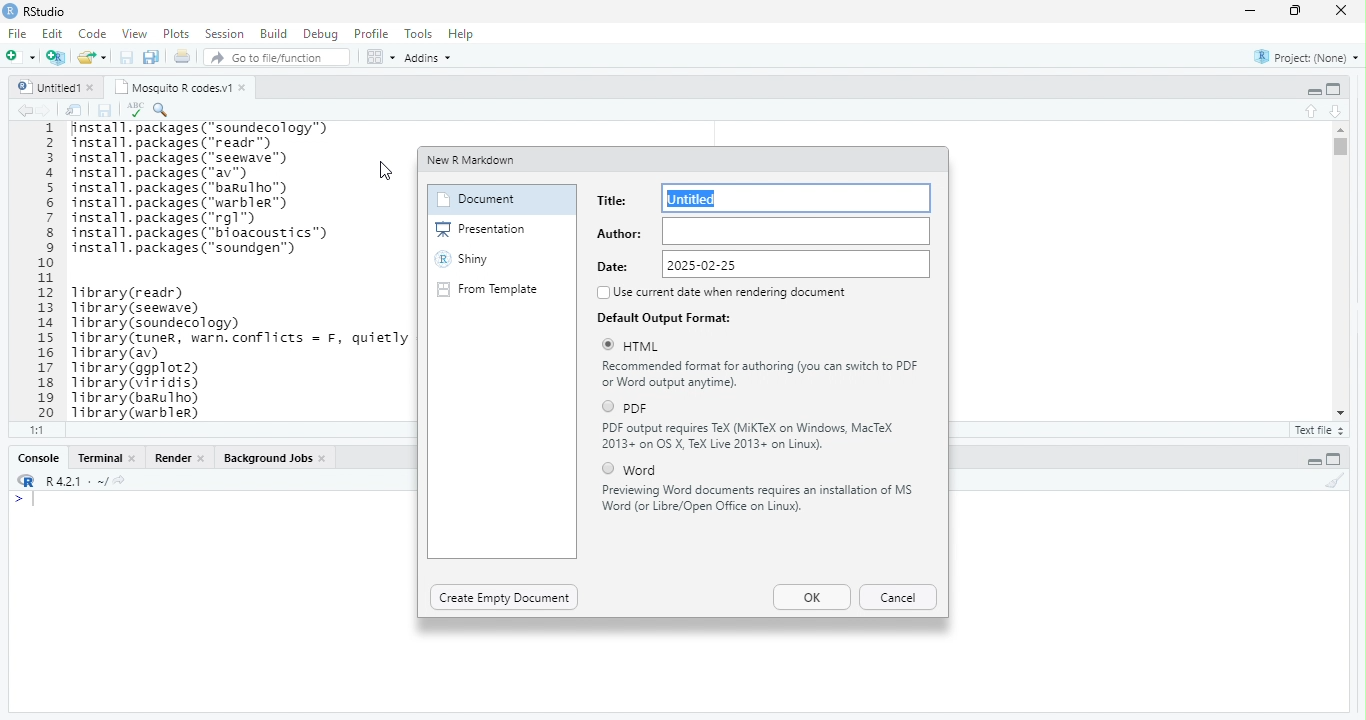 The height and width of the screenshot is (720, 1366). What do you see at coordinates (482, 229) in the screenshot?
I see `Presentation` at bounding box center [482, 229].